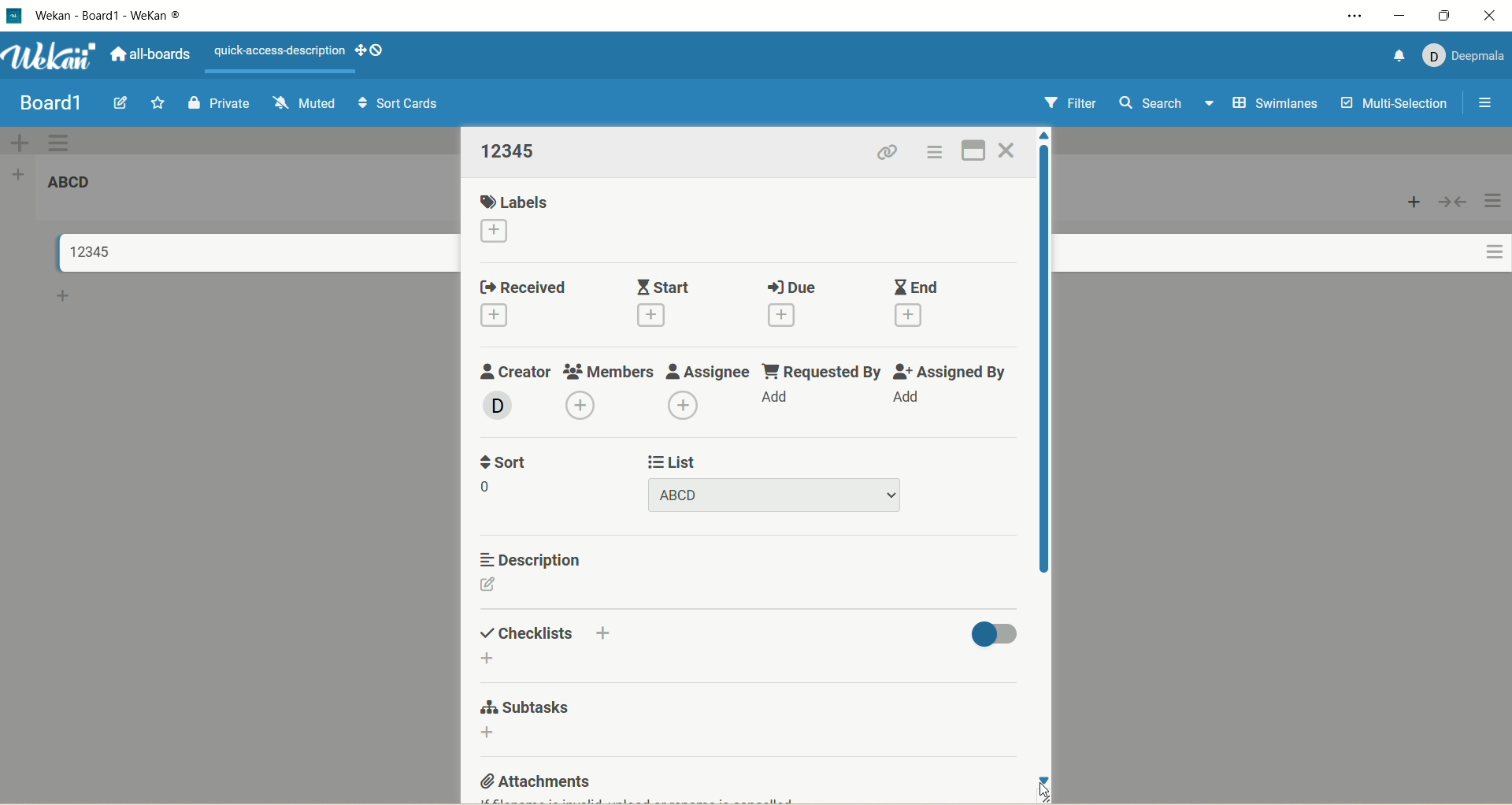 The width and height of the screenshot is (1512, 805). What do you see at coordinates (77, 187) in the screenshot?
I see `list title` at bounding box center [77, 187].